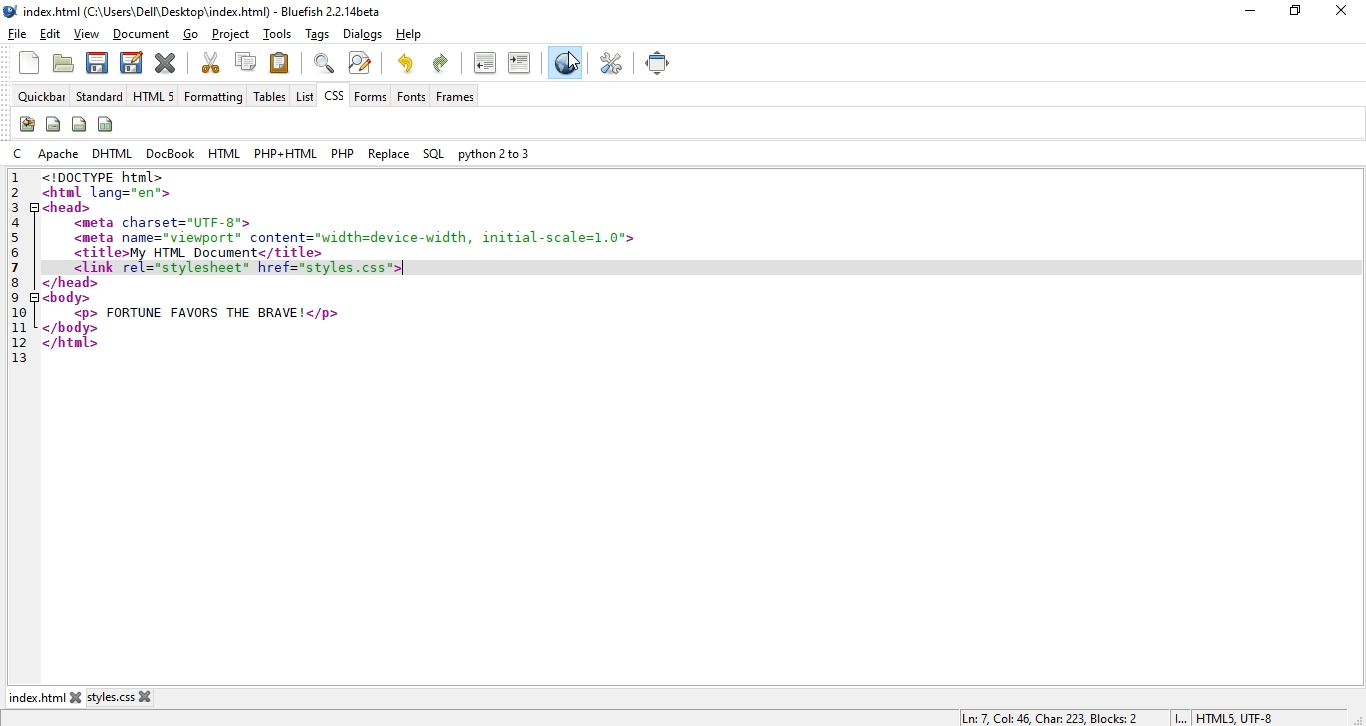 The width and height of the screenshot is (1366, 726). I want to click on 6, so click(20, 254).